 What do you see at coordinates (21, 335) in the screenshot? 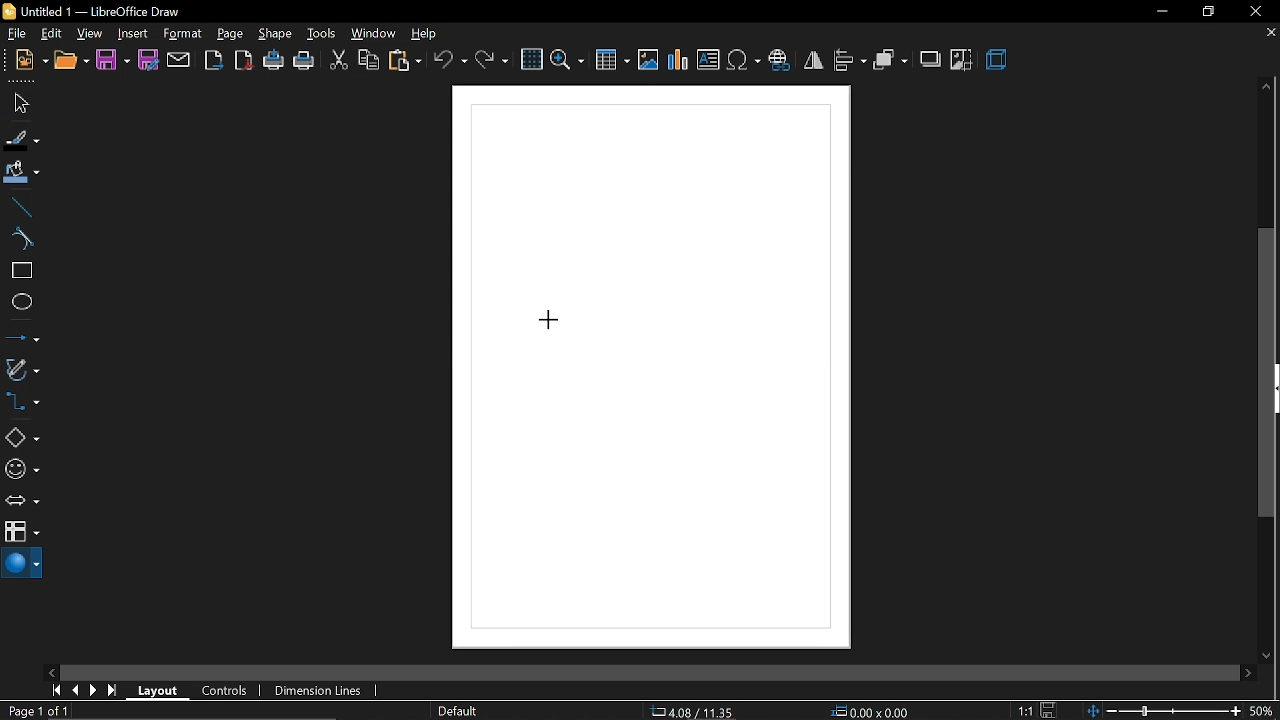
I see `lines and arrows` at bounding box center [21, 335].